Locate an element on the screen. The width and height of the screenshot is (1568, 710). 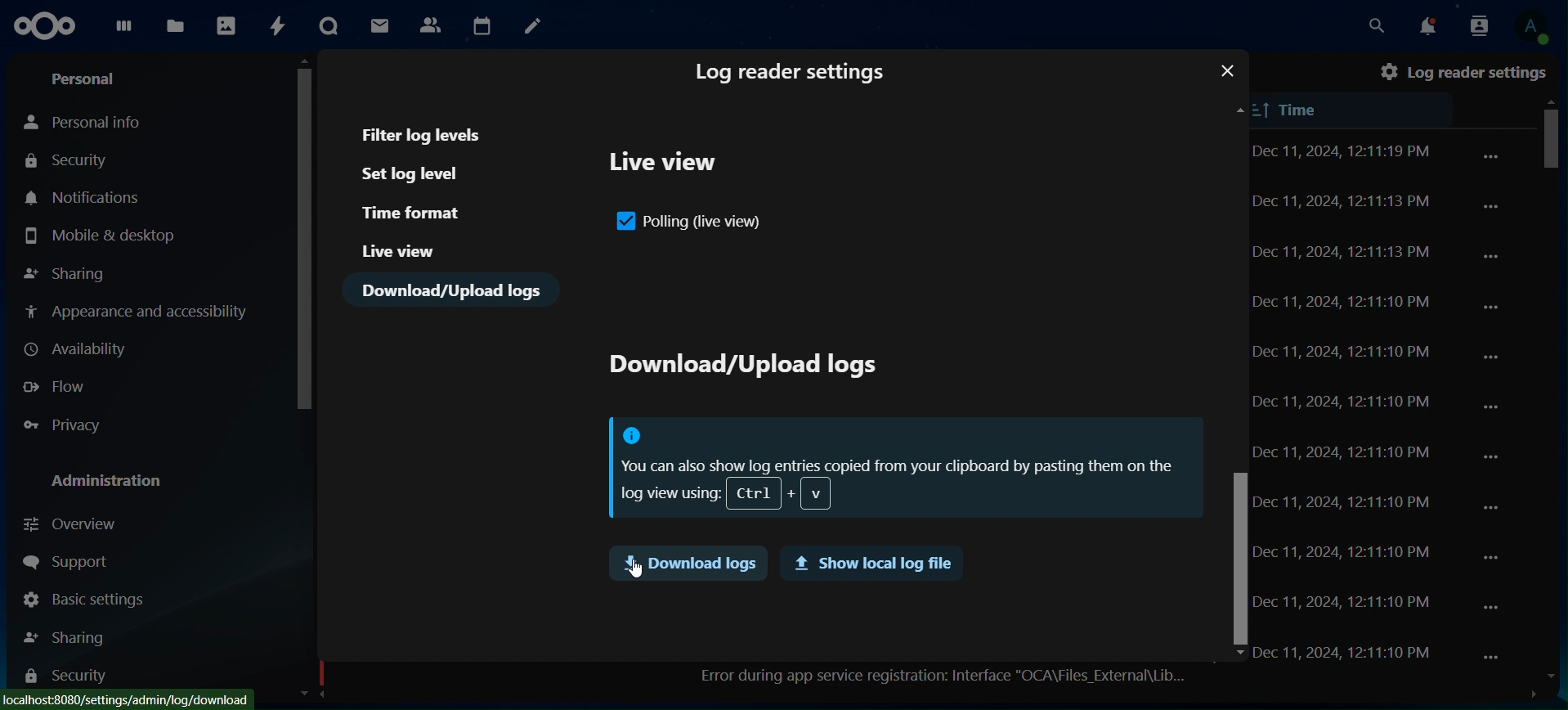
mail is located at coordinates (379, 26).